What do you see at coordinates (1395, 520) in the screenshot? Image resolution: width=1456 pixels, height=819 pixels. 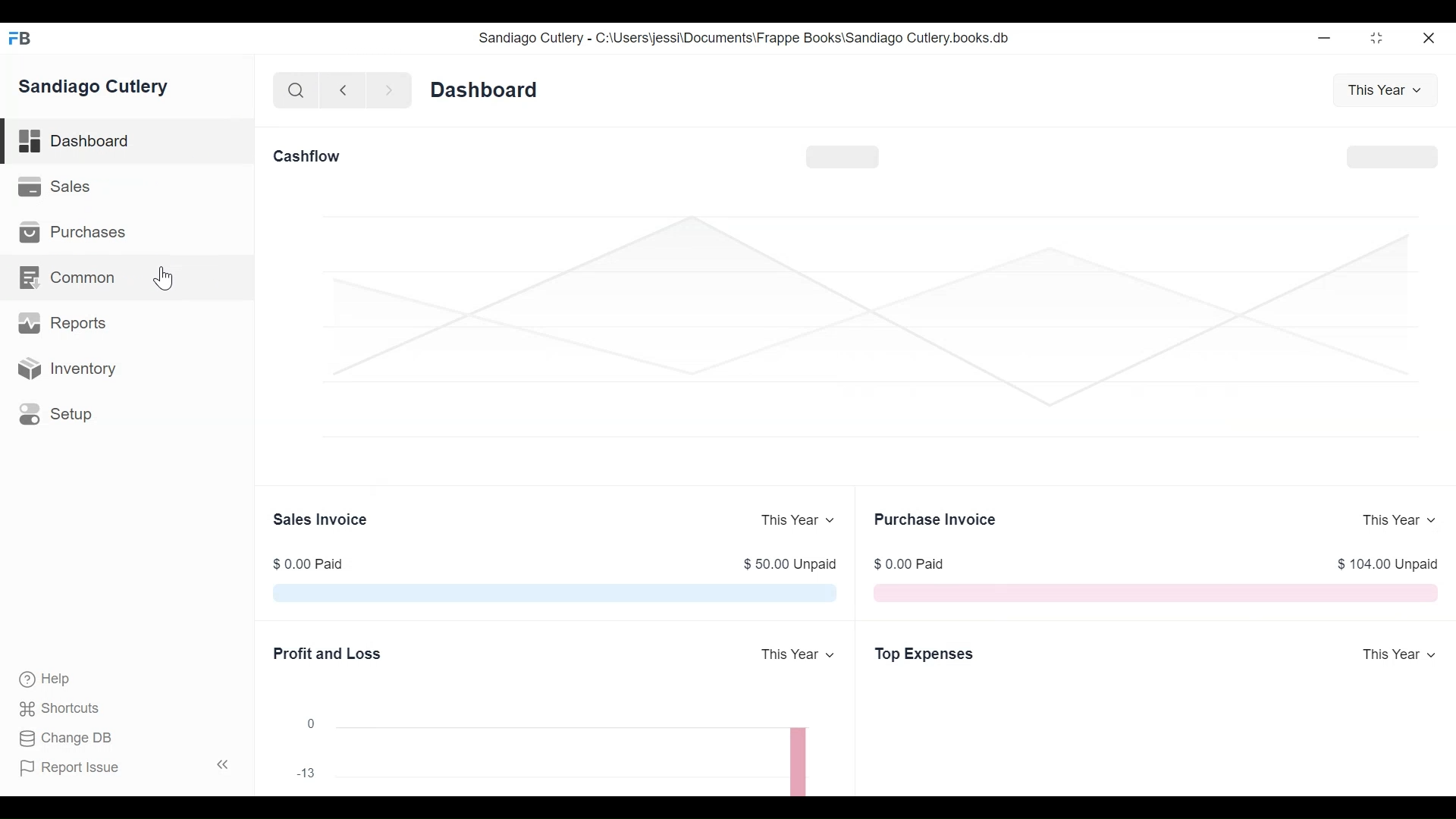 I see `This Year` at bounding box center [1395, 520].